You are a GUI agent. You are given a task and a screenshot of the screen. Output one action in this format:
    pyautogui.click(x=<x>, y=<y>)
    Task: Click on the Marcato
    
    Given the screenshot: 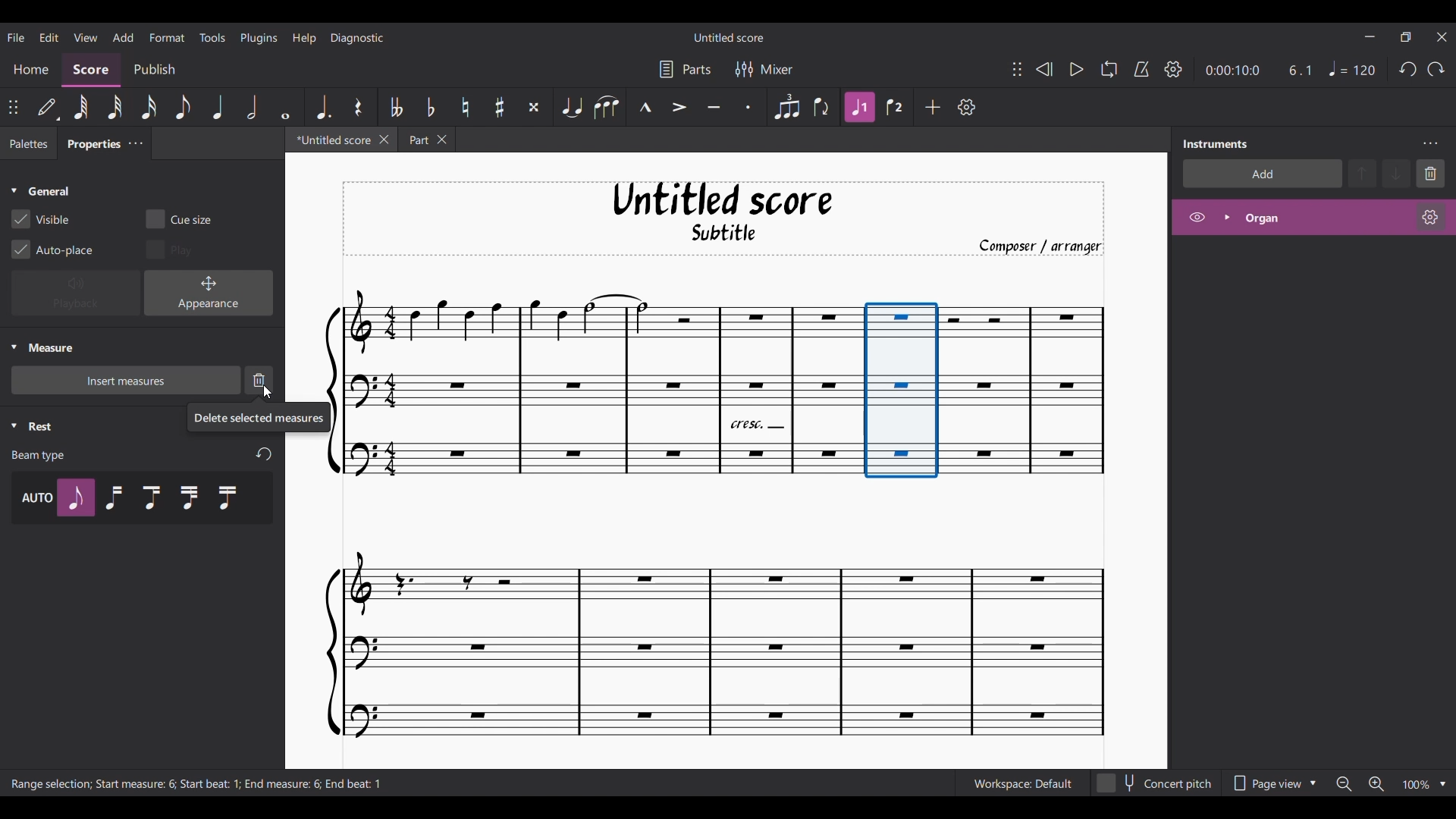 What is the action you would take?
    pyautogui.click(x=644, y=108)
    